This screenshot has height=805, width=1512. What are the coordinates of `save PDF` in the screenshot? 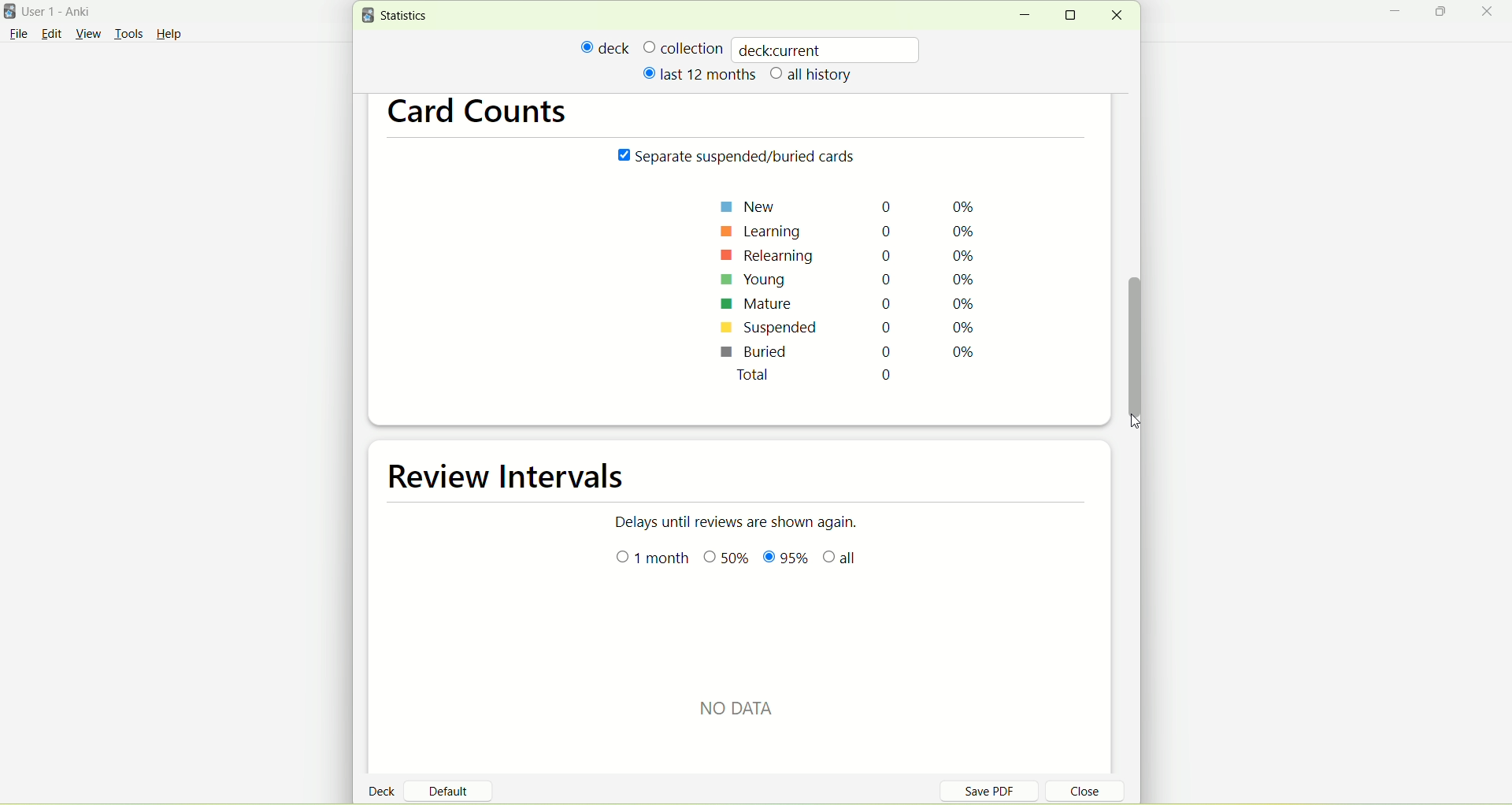 It's located at (999, 790).